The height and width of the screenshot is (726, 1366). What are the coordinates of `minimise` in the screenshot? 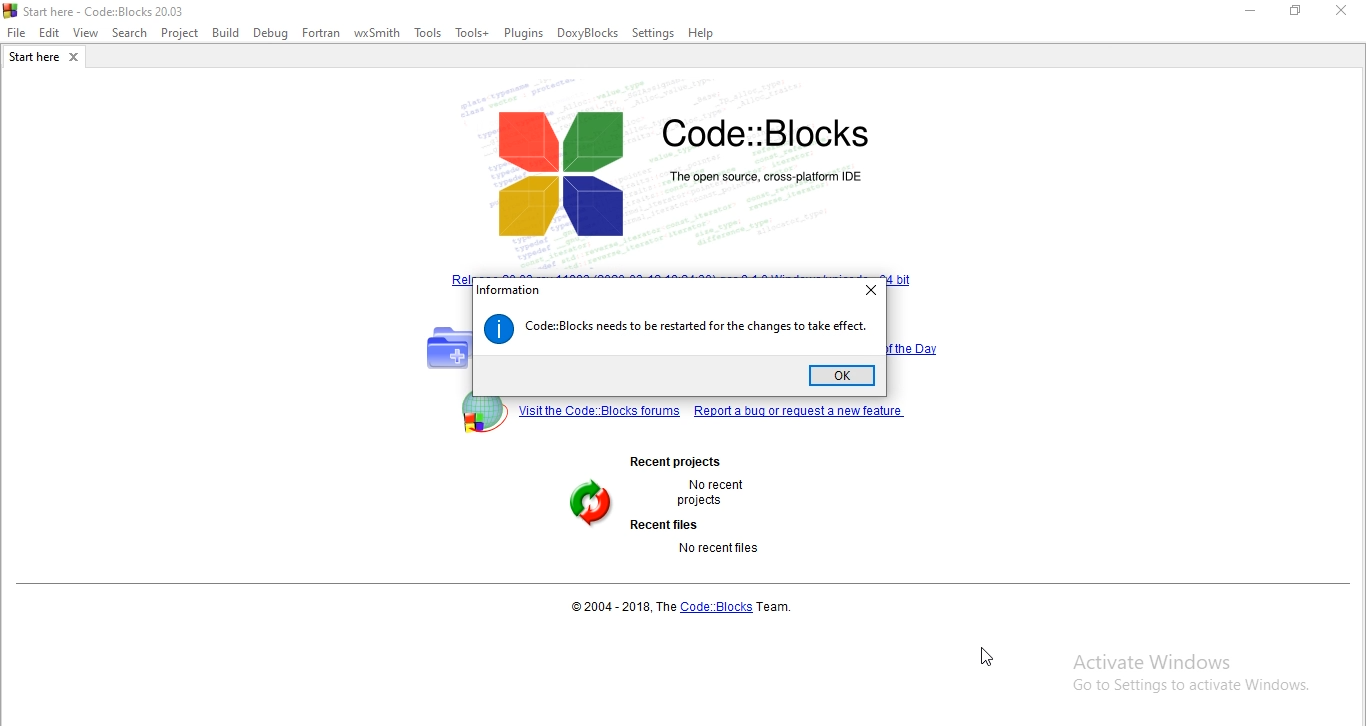 It's located at (1251, 12).